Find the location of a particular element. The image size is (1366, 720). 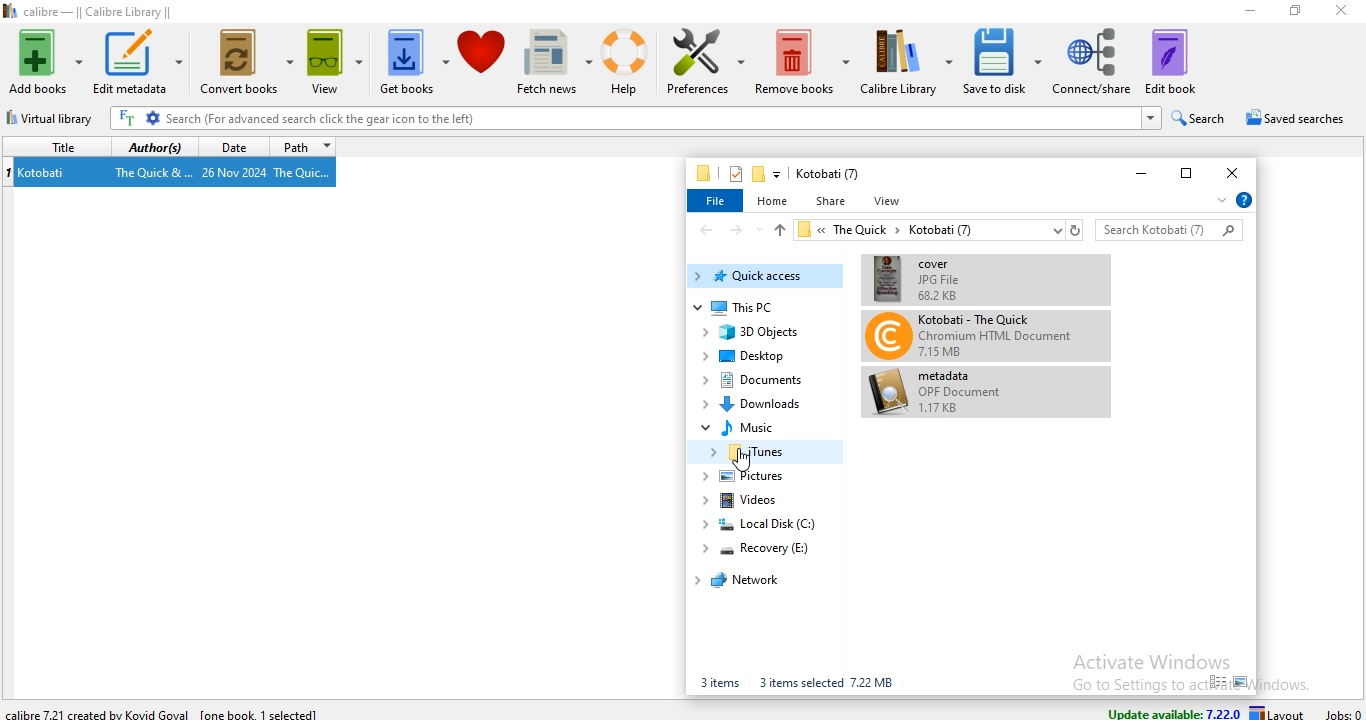

Kotobati-The Quick(book files) is located at coordinates (970, 336).